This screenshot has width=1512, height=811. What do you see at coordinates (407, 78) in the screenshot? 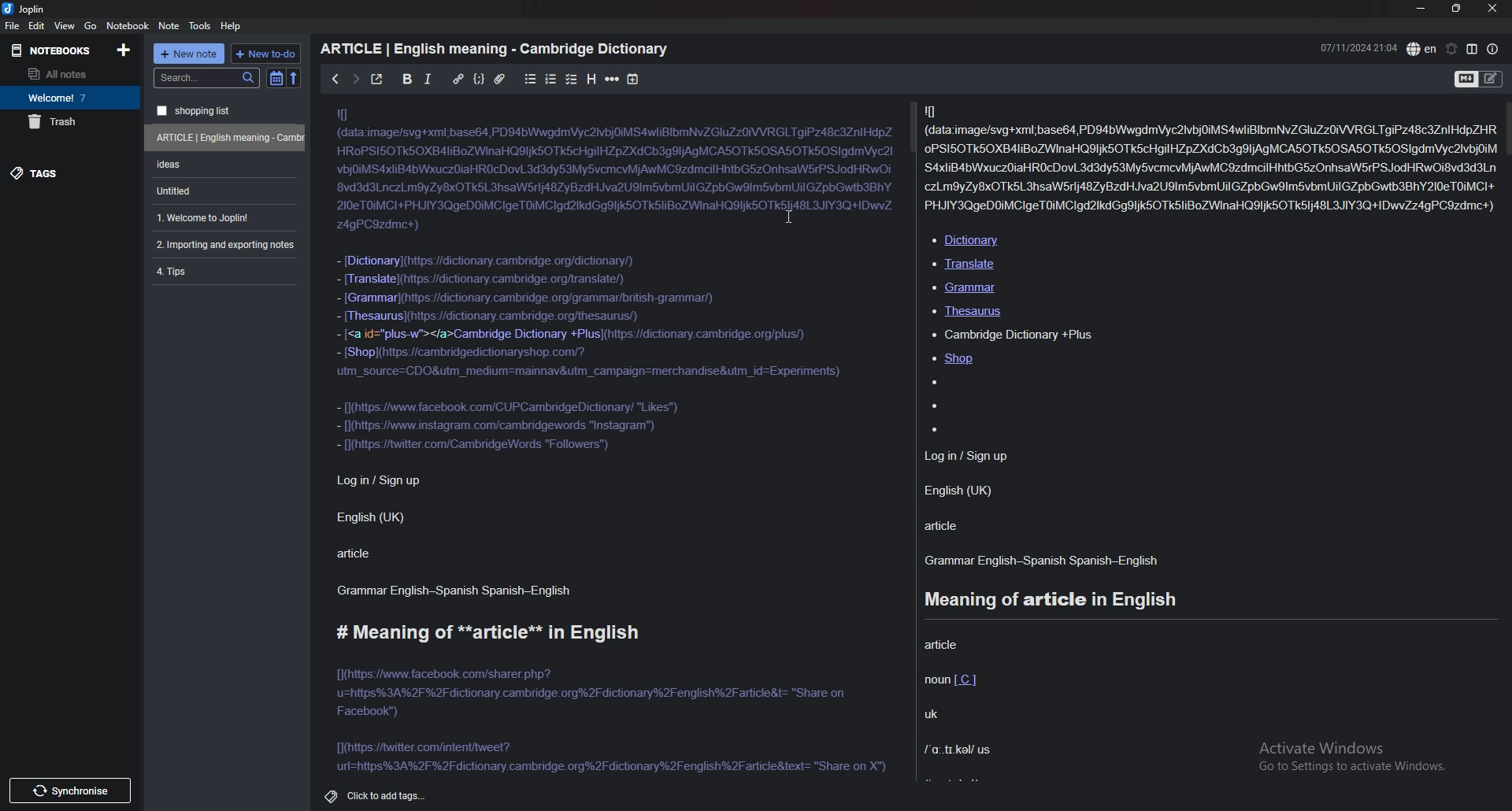
I see `bold` at bounding box center [407, 78].